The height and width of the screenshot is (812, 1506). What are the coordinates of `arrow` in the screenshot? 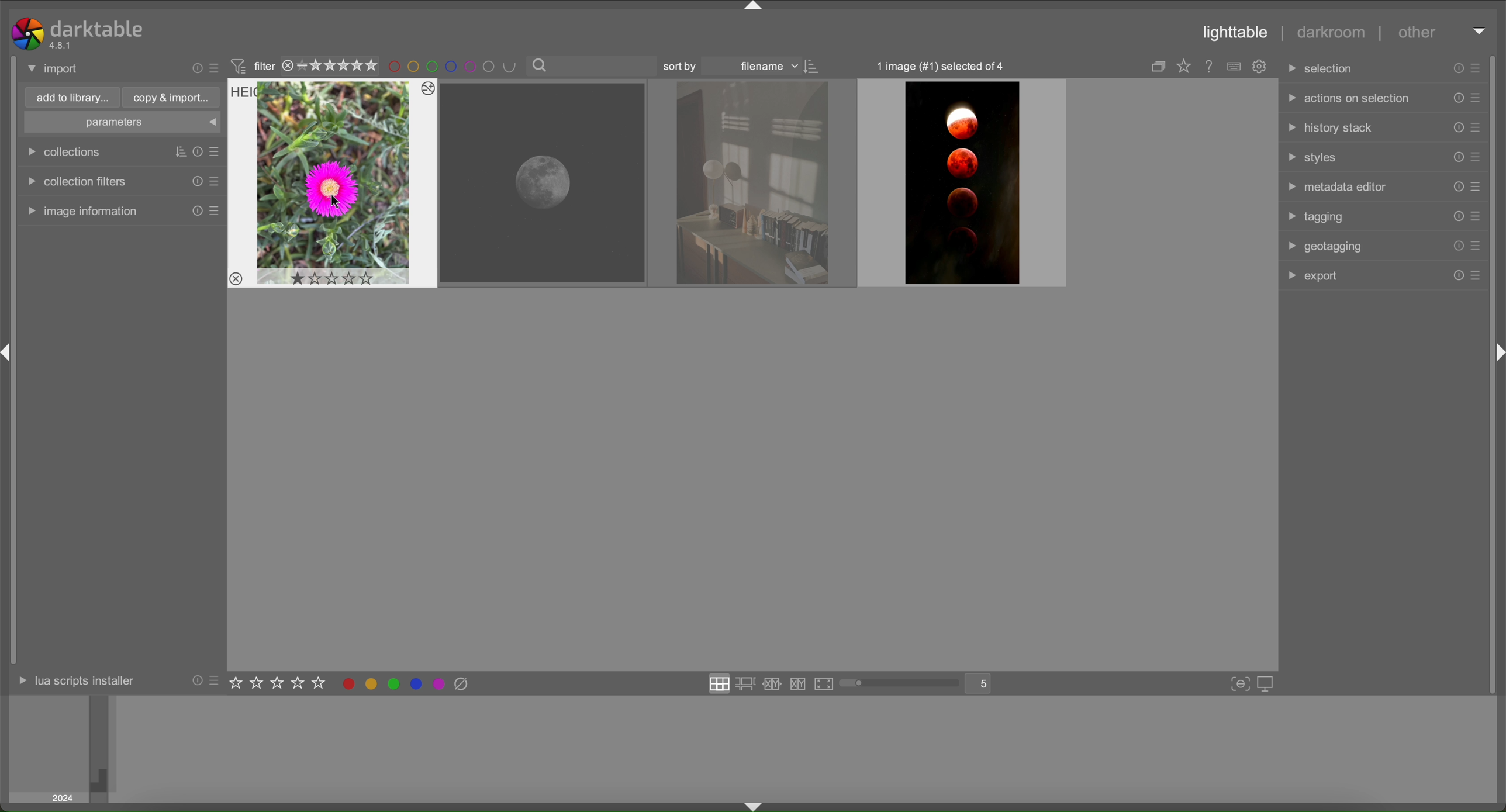 It's located at (754, 7).